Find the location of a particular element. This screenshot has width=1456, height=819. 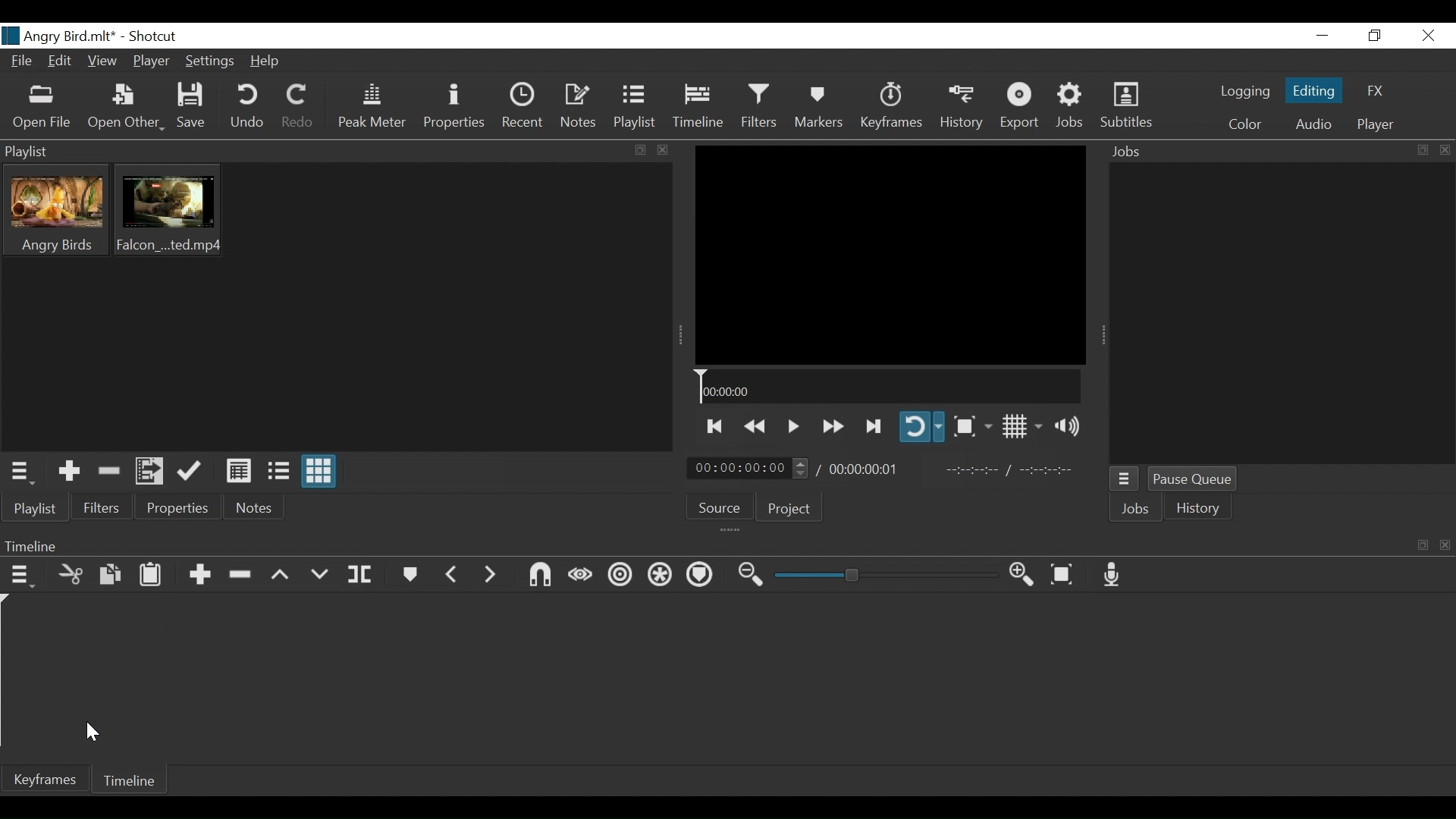

Zoom timeline to fit is located at coordinates (1062, 575).